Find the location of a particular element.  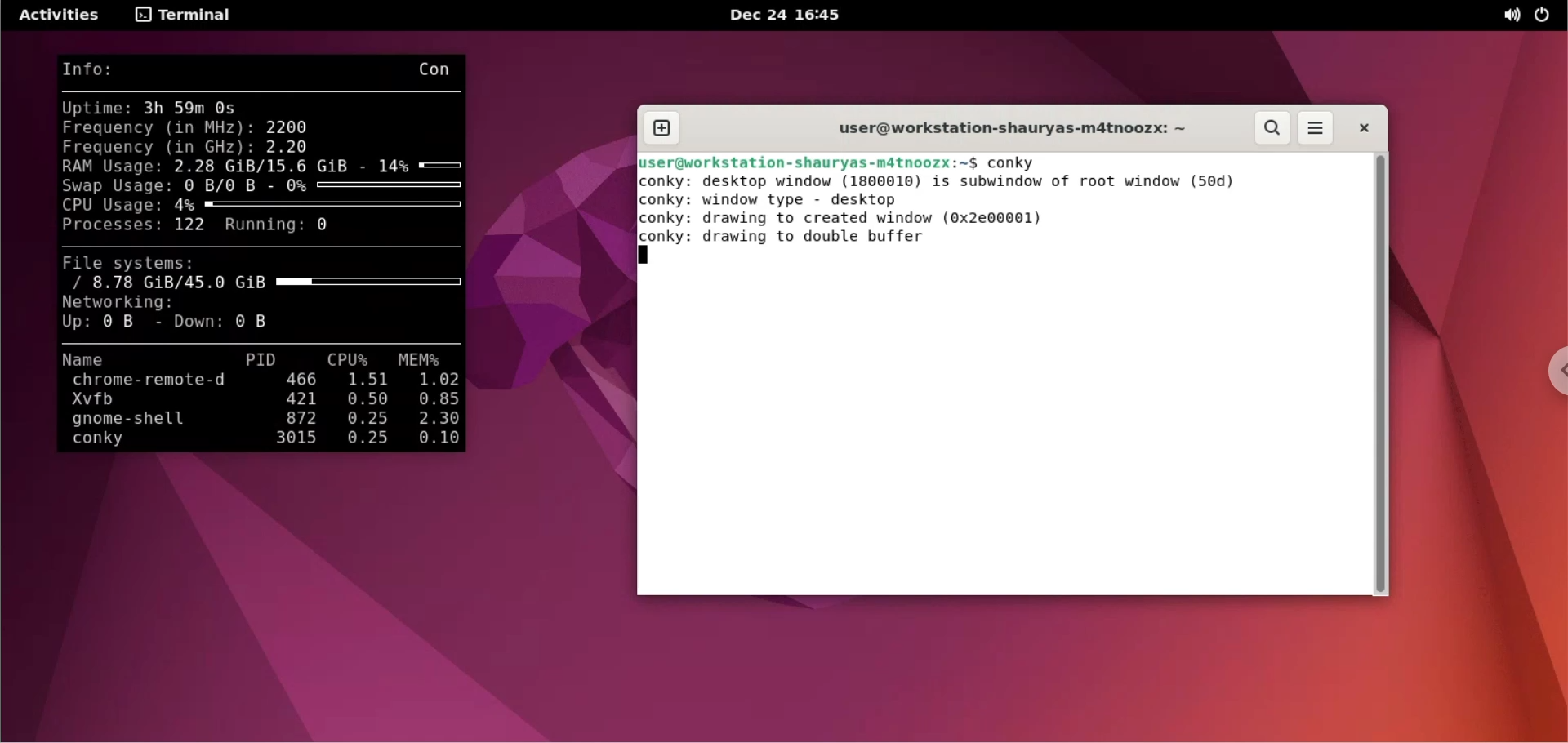

466 is located at coordinates (301, 378).